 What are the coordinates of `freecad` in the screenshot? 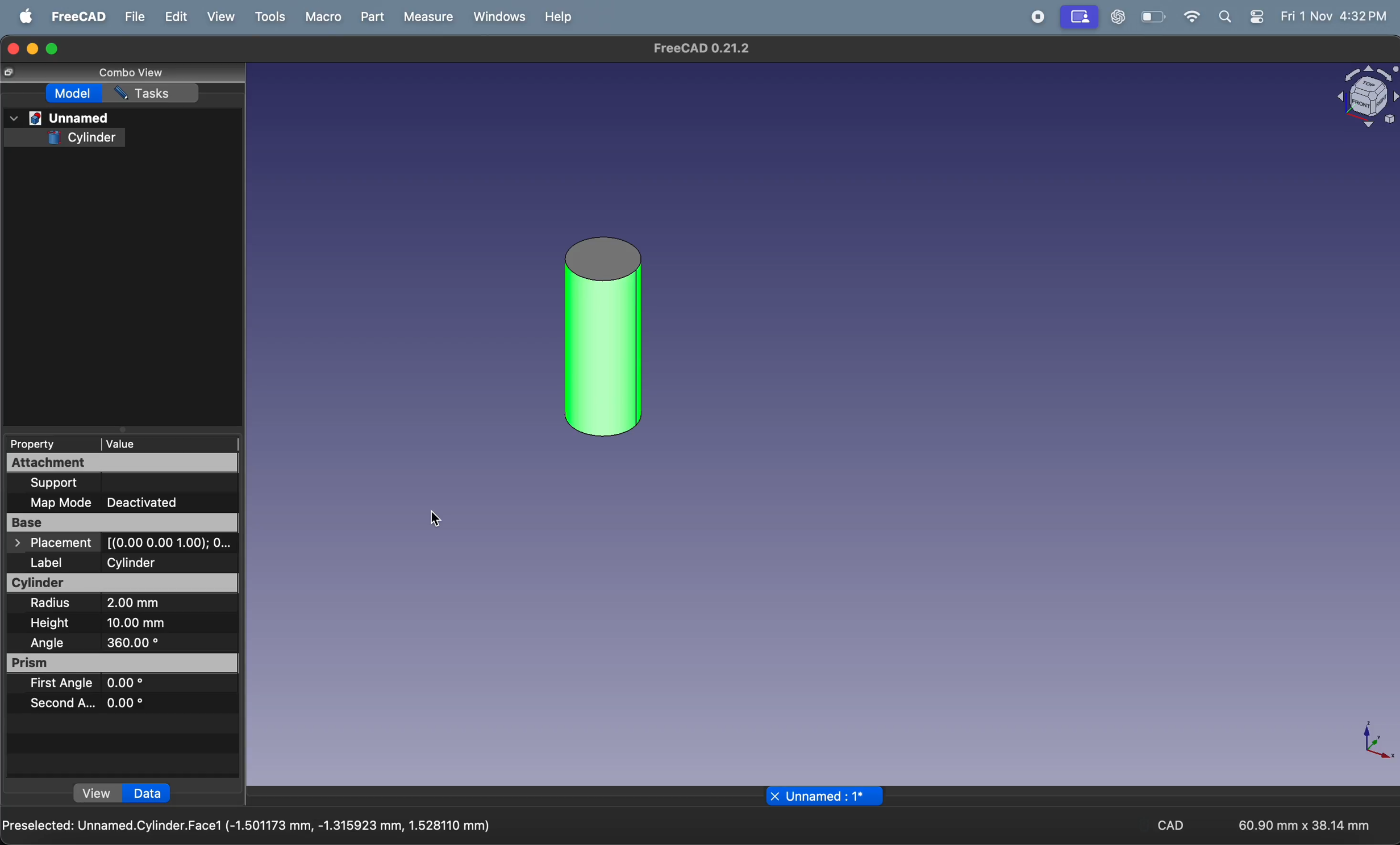 It's located at (74, 16).